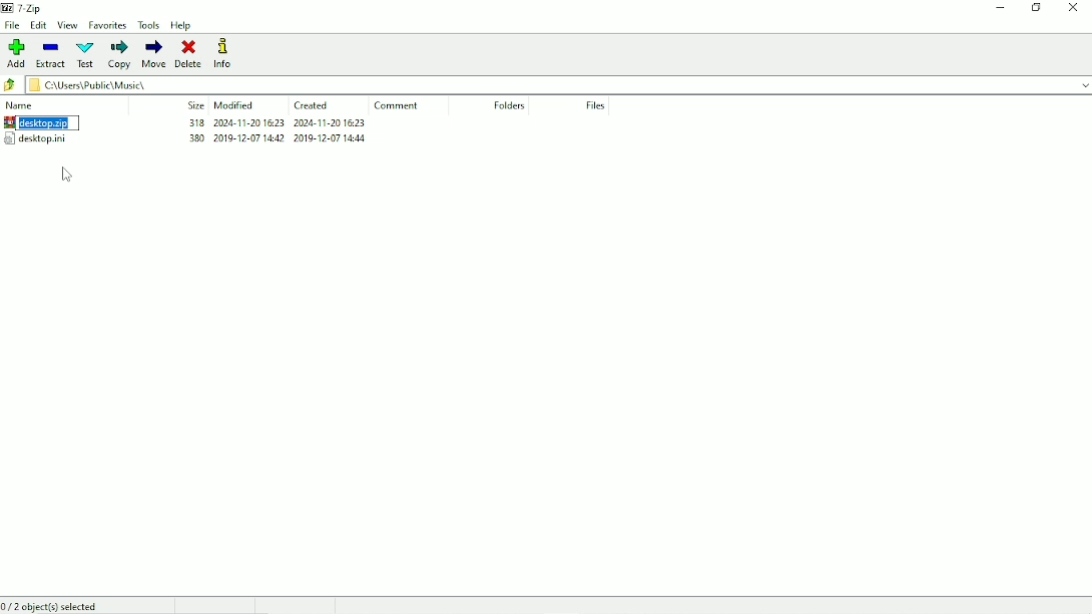 The width and height of the screenshot is (1092, 614). What do you see at coordinates (56, 606) in the screenshot?
I see `0/2 object(s) selected` at bounding box center [56, 606].